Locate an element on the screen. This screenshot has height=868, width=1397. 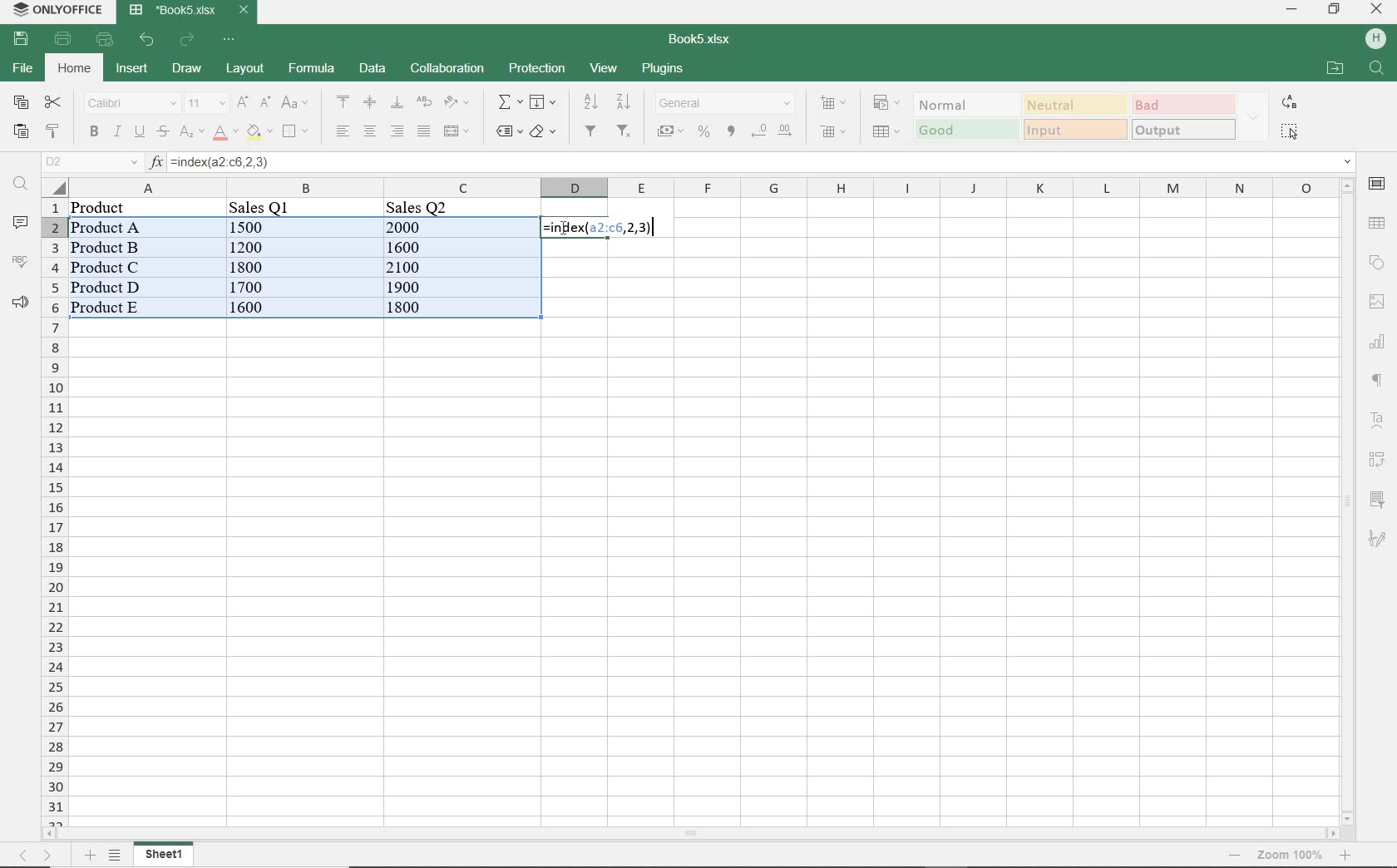
neutral is located at coordinates (1073, 104).